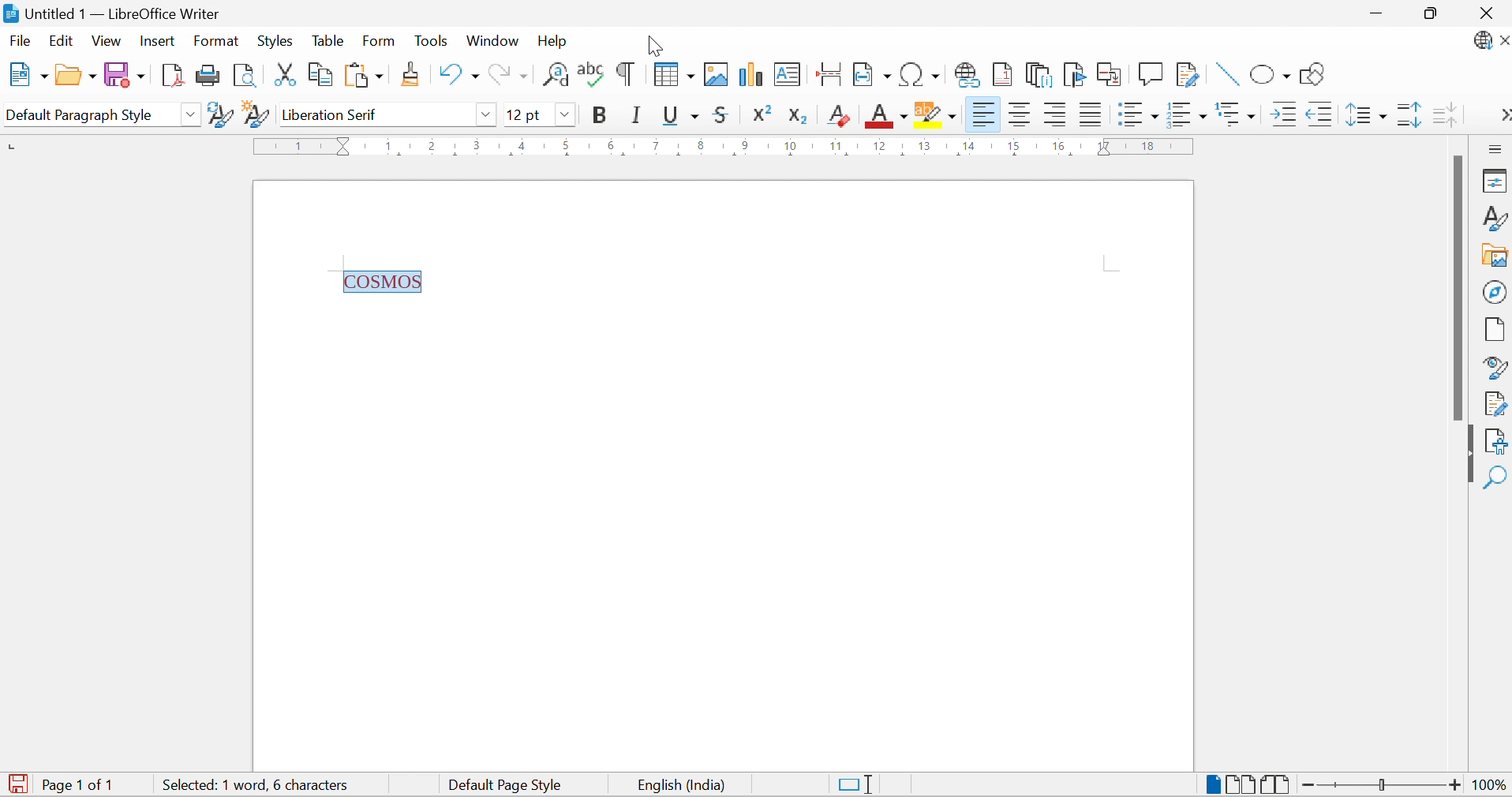  I want to click on Superscript, so click(767, 113).